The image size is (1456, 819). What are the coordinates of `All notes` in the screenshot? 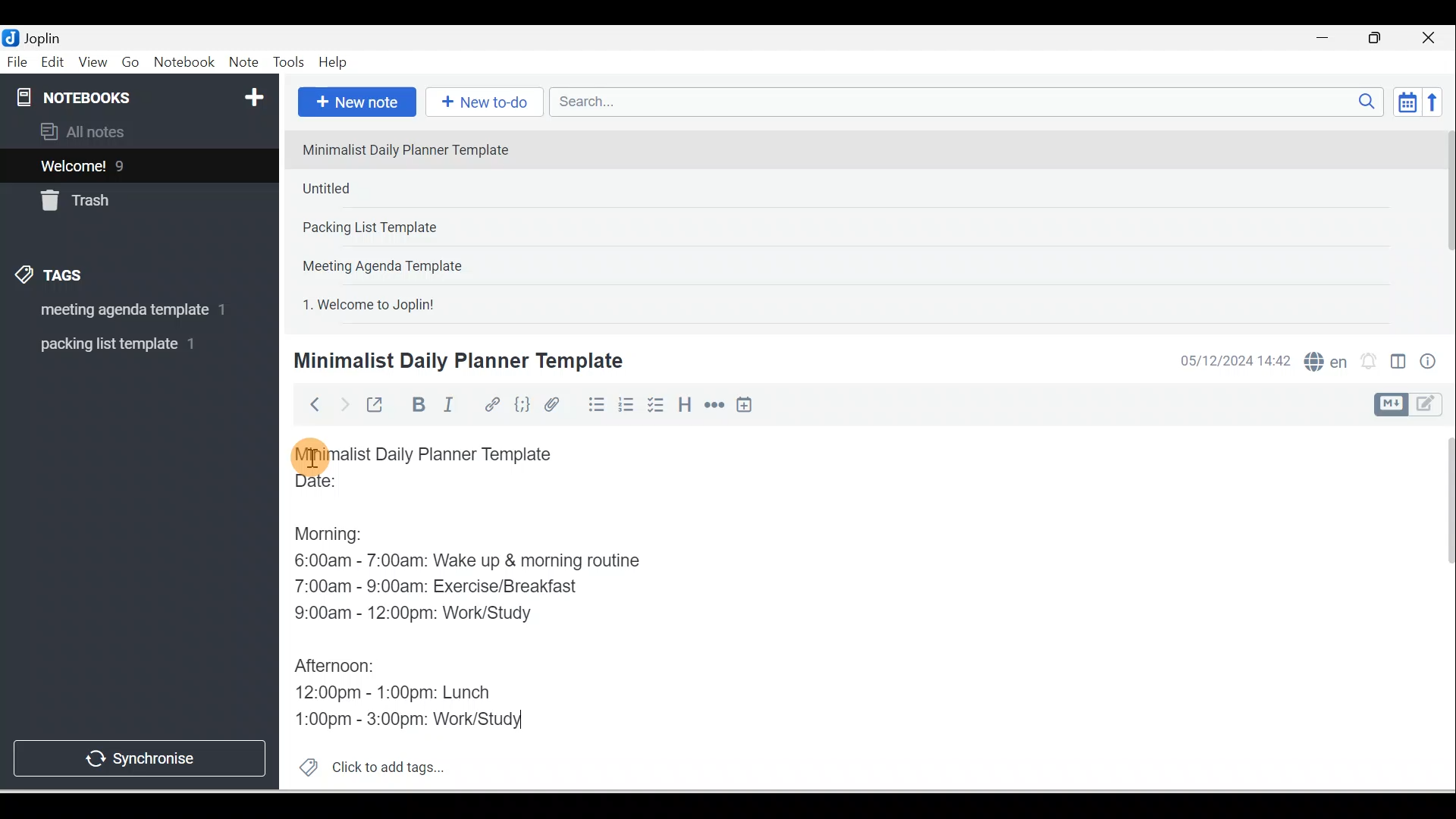 It's located at (137, 131).